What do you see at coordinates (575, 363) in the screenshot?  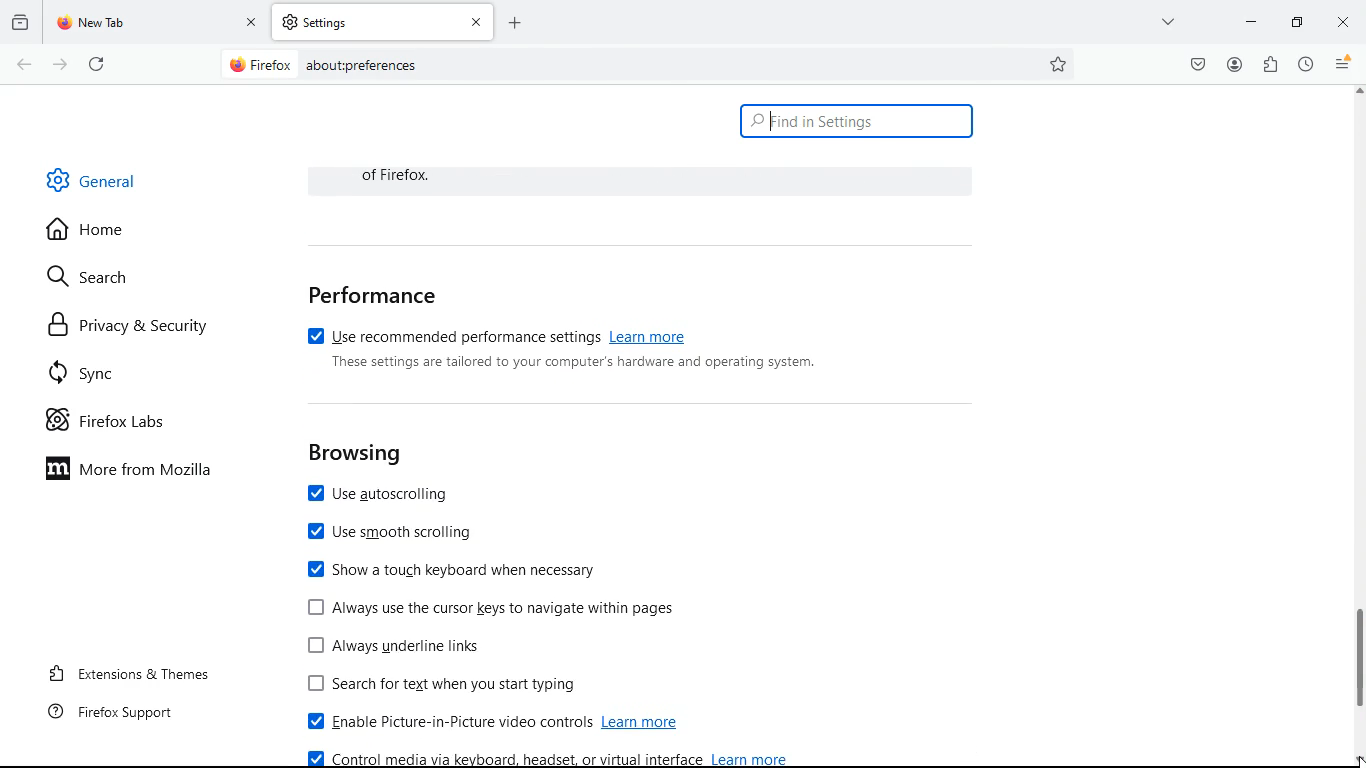 I see `These settings are tailored to your computer's hardware and operating system.` at bounding box center [575, 363].